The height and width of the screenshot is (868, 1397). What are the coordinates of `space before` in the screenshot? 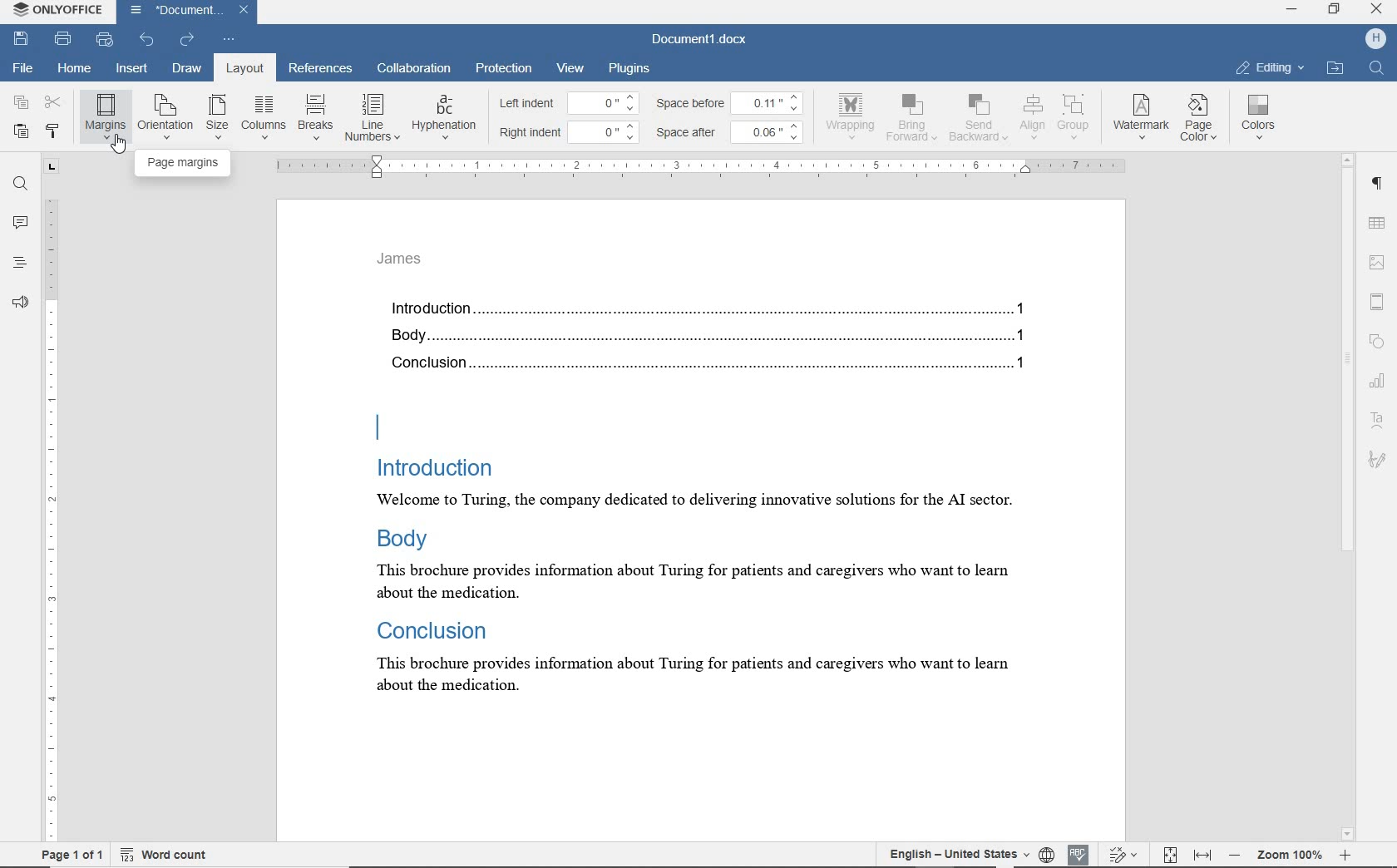 It's located at (693, 103).